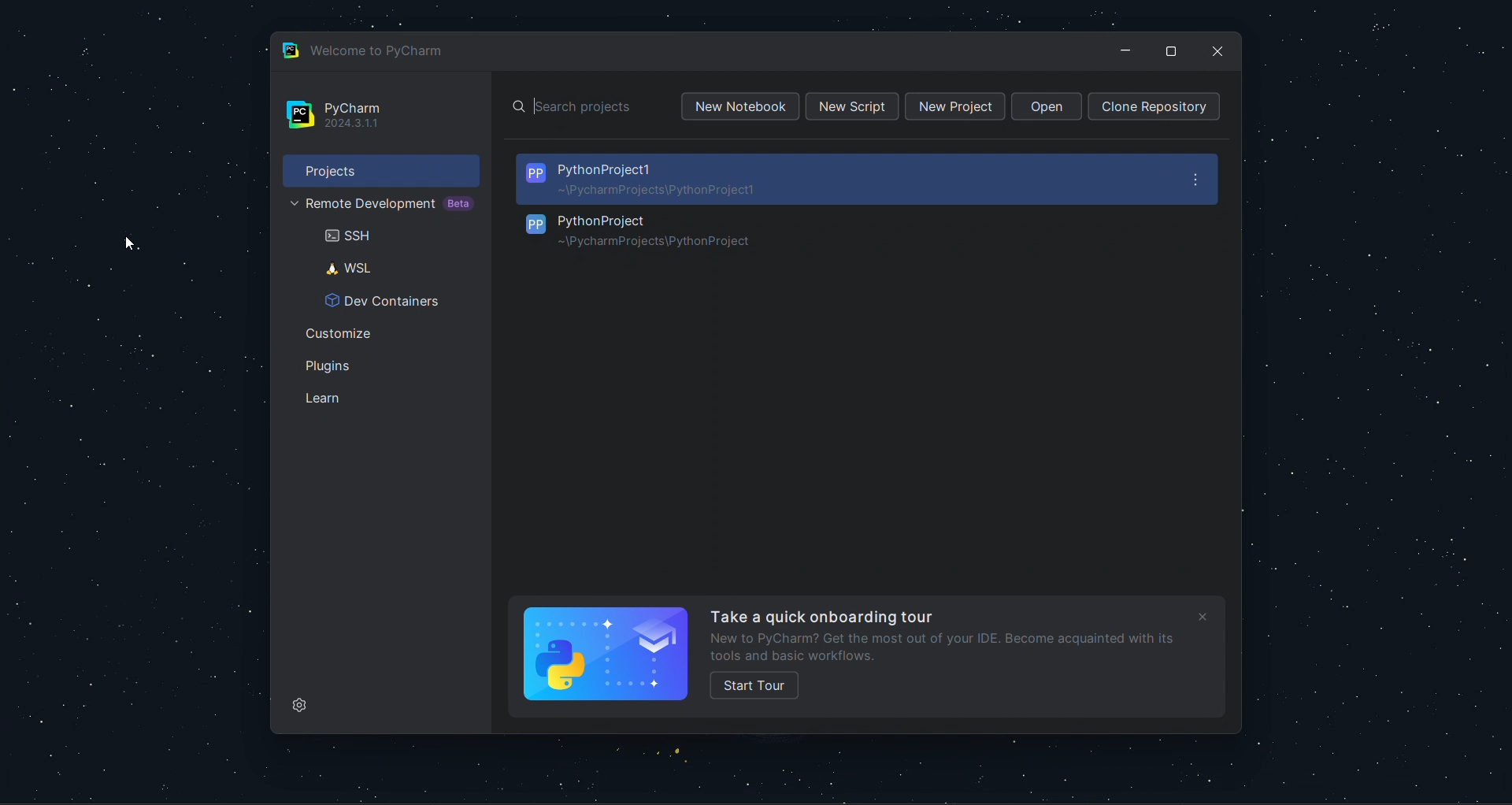 The image size is (1512, 805). What do you see at coordinates (126, 243) in the screenshot?
I see `cursor` at bounding box center [126, 243].